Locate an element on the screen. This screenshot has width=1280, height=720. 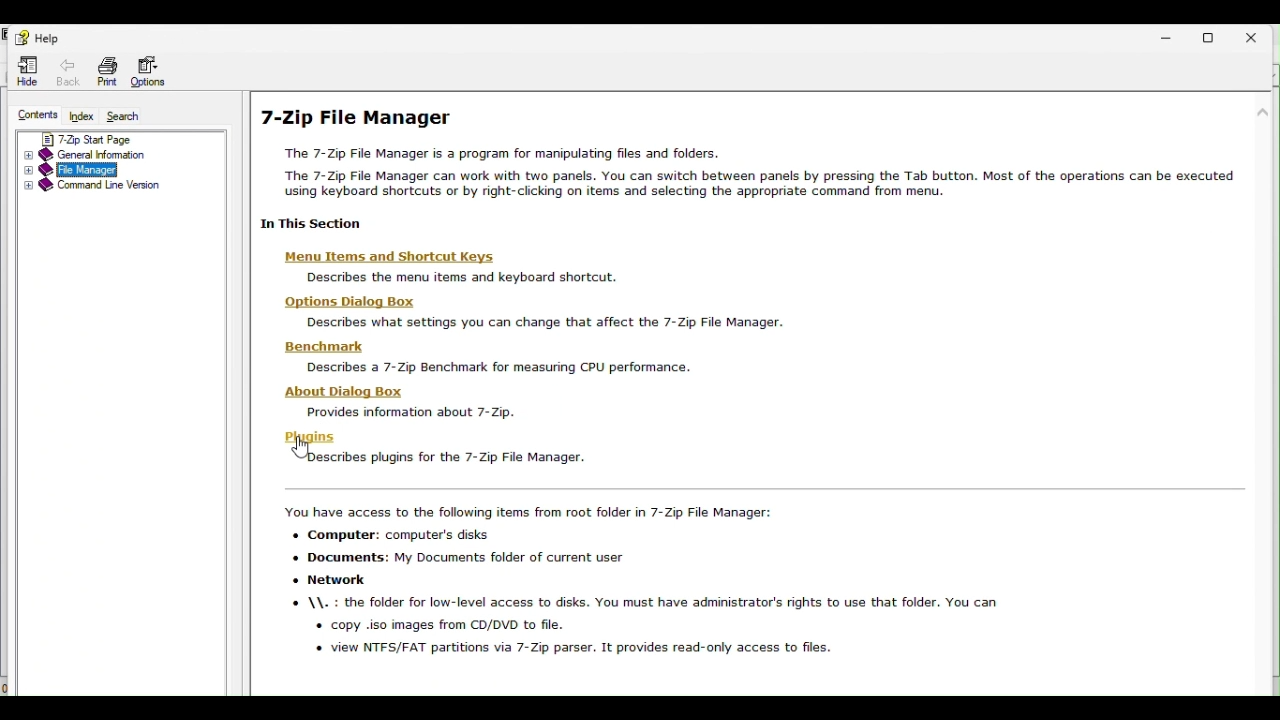
Command line version is located at coordinates (117, 186).